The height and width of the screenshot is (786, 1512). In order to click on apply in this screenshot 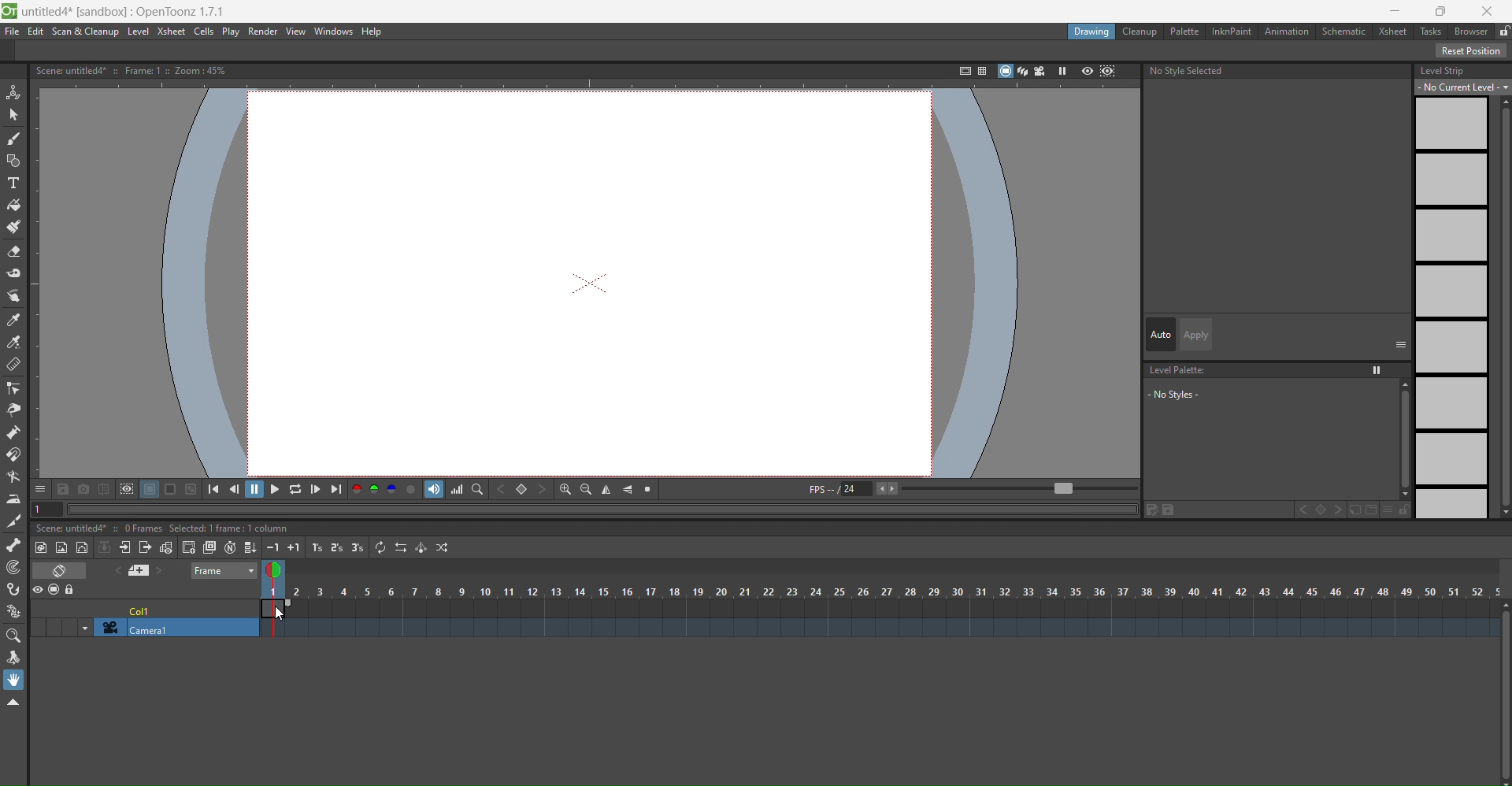, I will do `click(1198, 335)`.